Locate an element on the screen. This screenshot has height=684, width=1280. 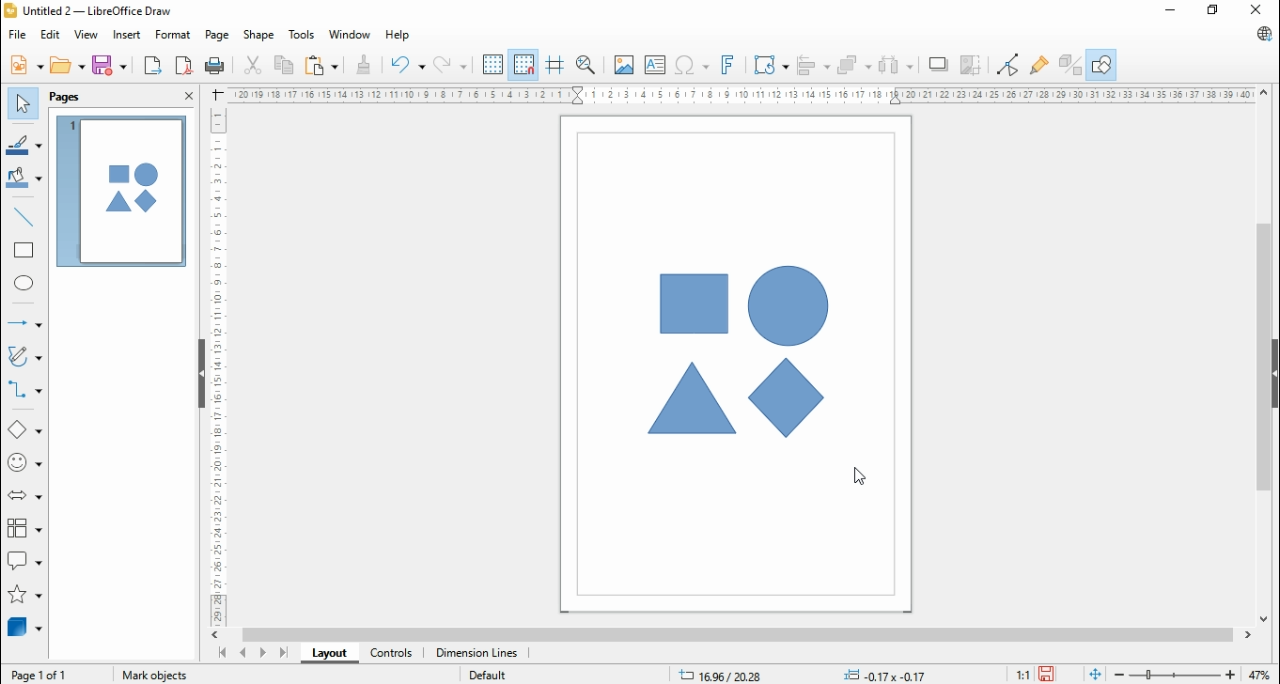
shape 1 is located at coordinates (693, 304).